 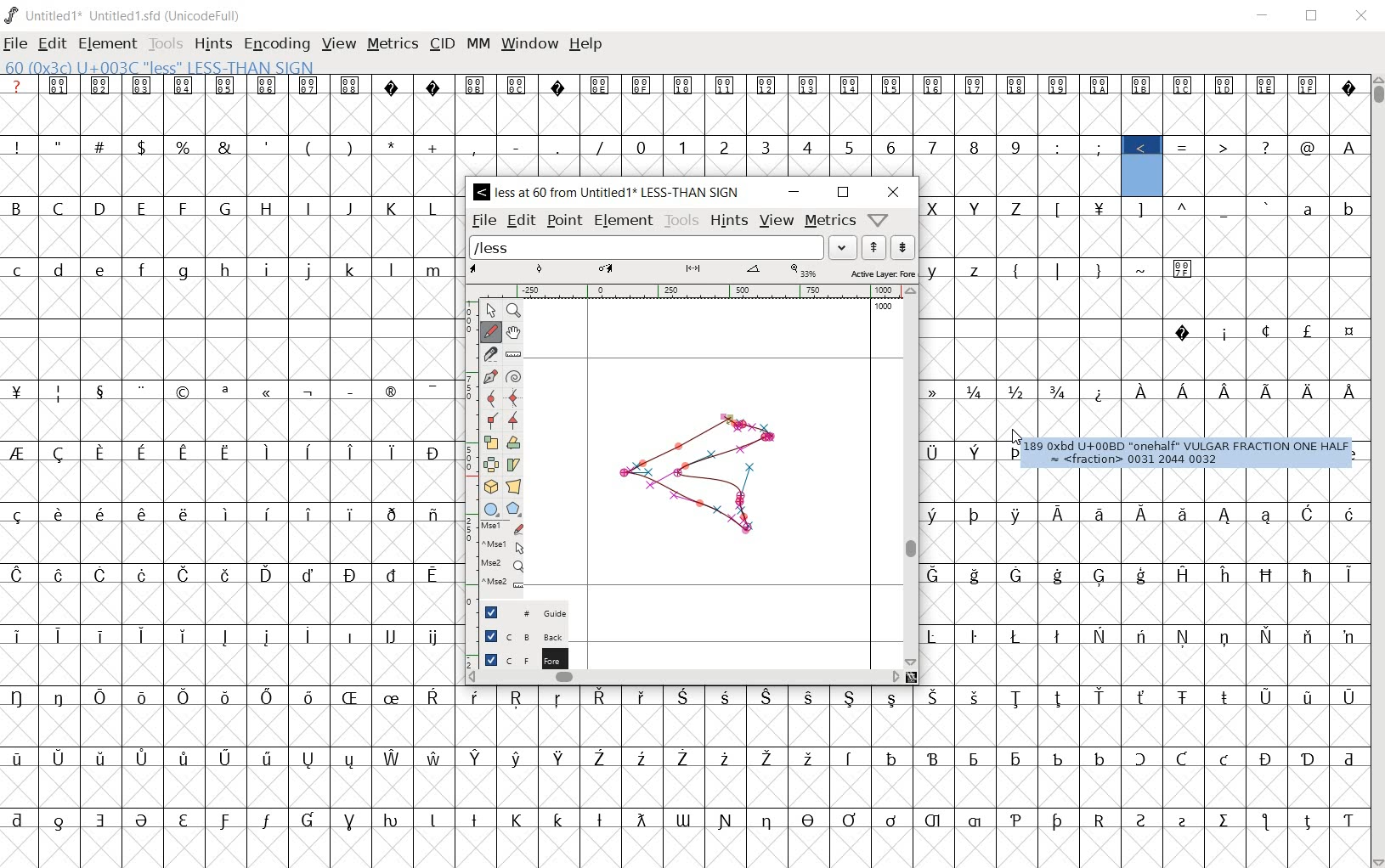 What do you see at coordinates (224, 543) in the screenshot?
I see `empty cells` at bounding box center [224, 543].